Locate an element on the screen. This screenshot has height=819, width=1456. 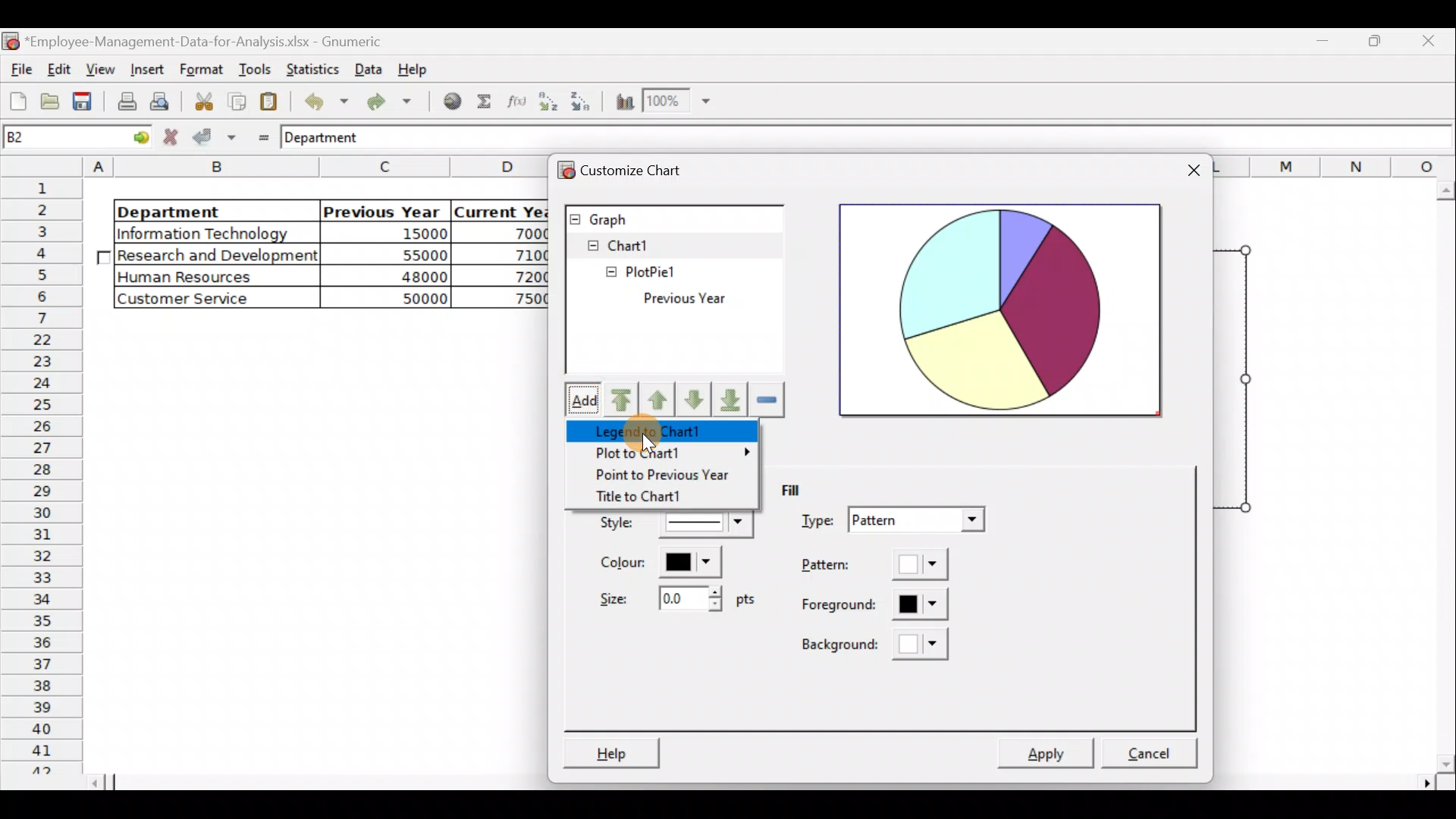
Close is located at coordinates (1191, 170).